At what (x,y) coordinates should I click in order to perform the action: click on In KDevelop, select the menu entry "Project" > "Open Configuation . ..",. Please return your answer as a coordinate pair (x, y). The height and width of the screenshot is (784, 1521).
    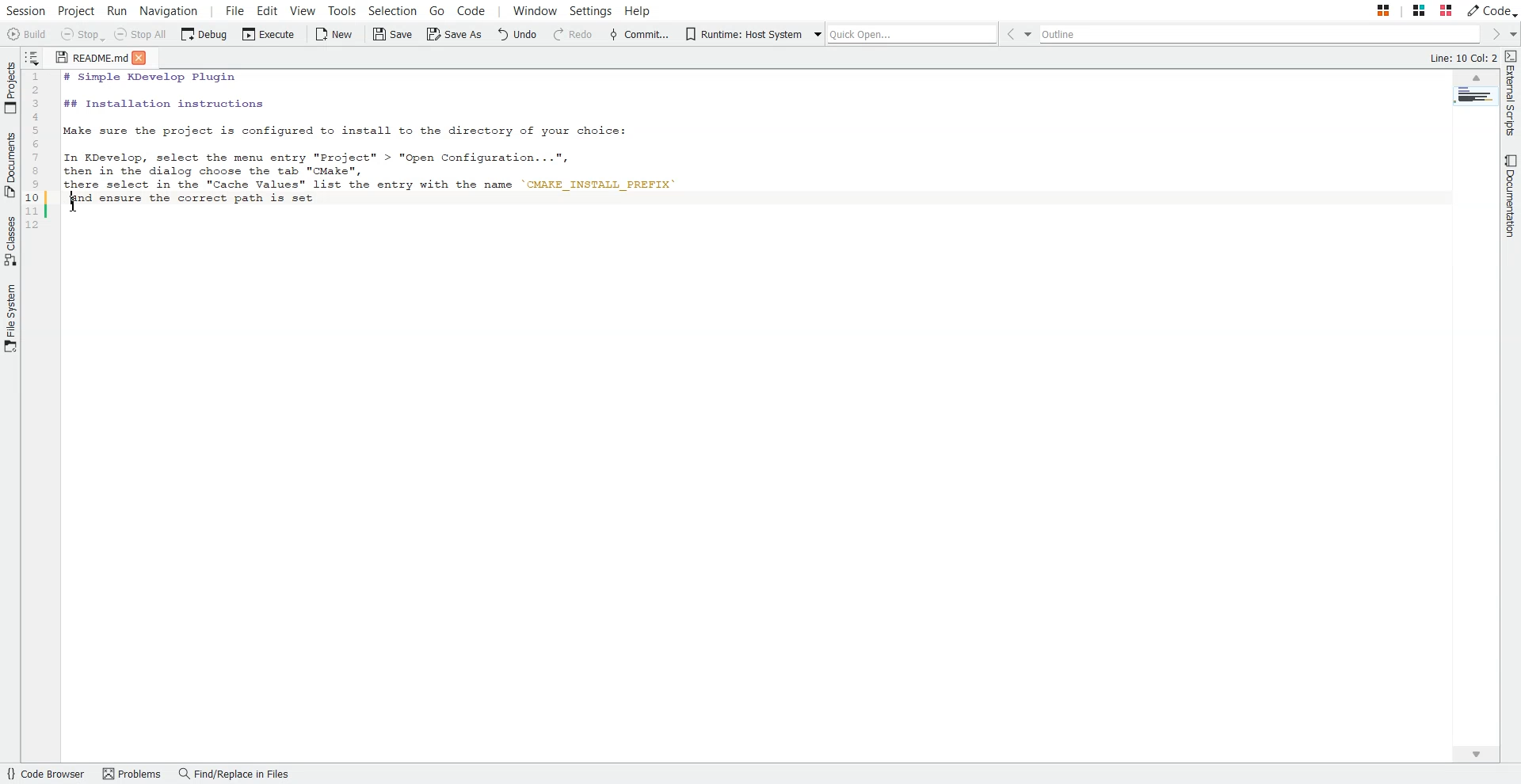
    Looking at the image, I should click on (318, 154).